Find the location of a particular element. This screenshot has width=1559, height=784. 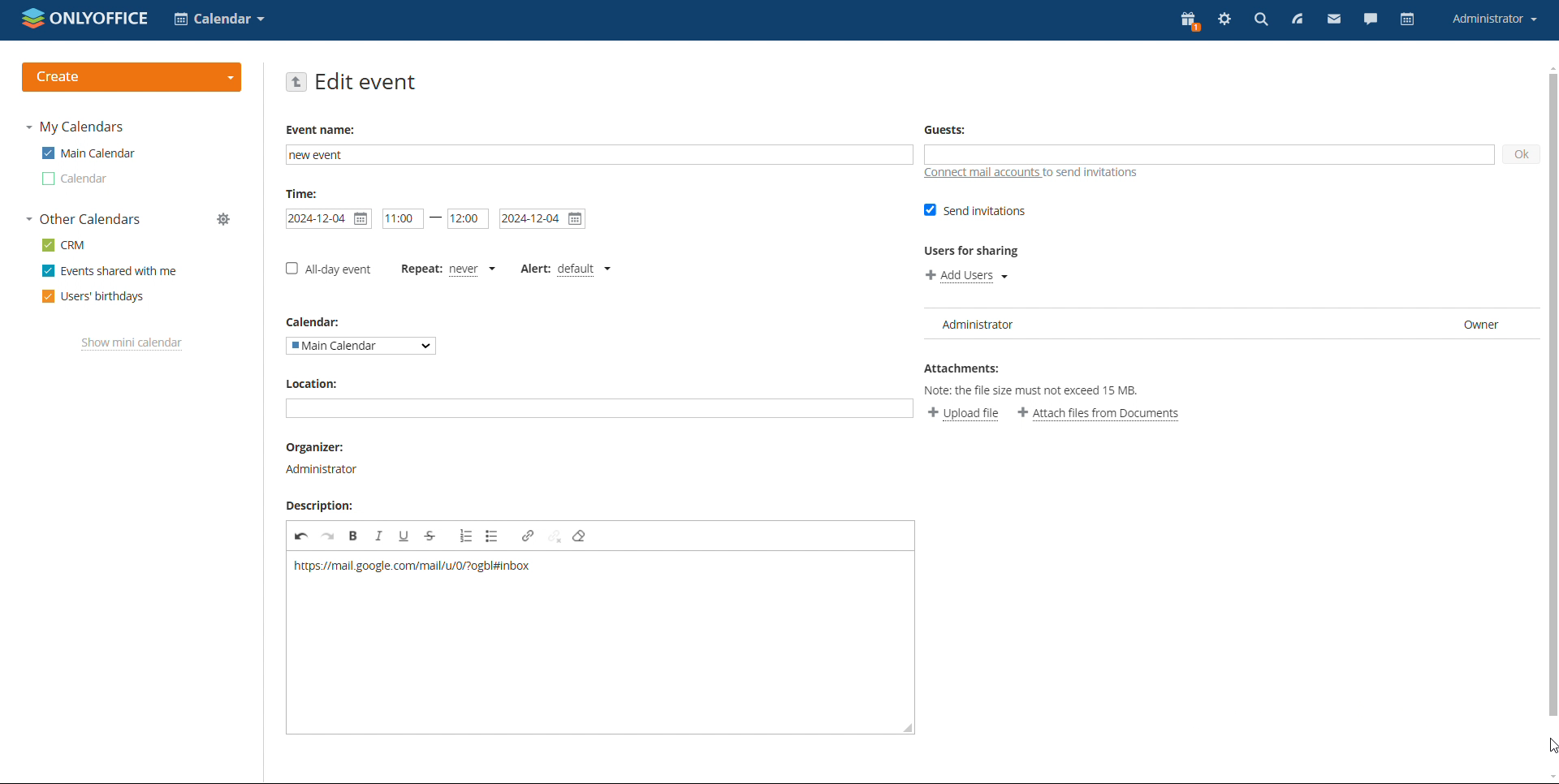

Attachments: is located at coordinates (965, 370).